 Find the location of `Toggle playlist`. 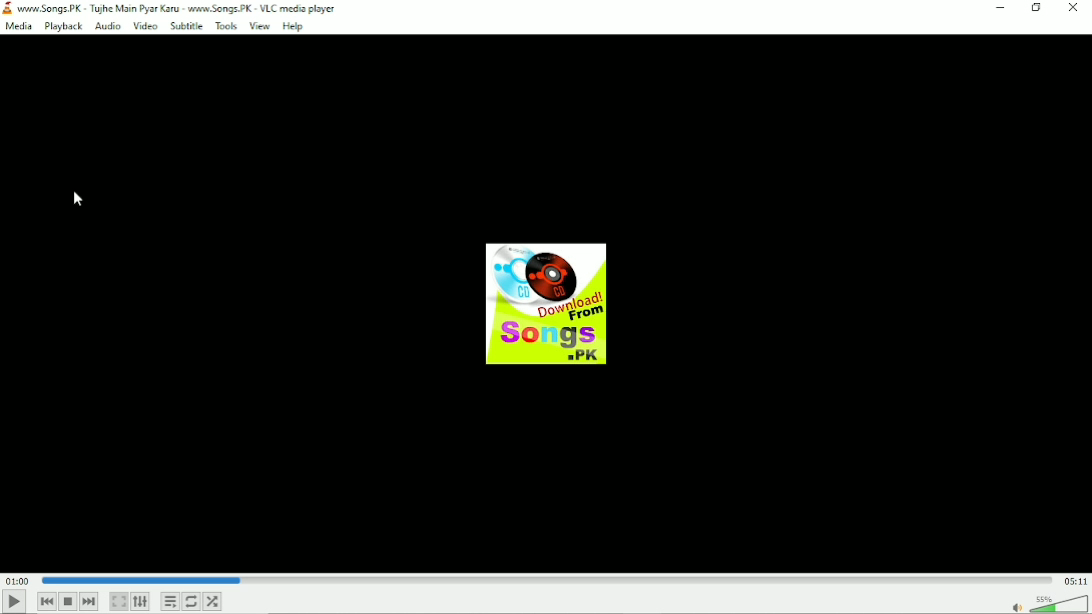

Toggle playlist is located at coordinates (171, 602).